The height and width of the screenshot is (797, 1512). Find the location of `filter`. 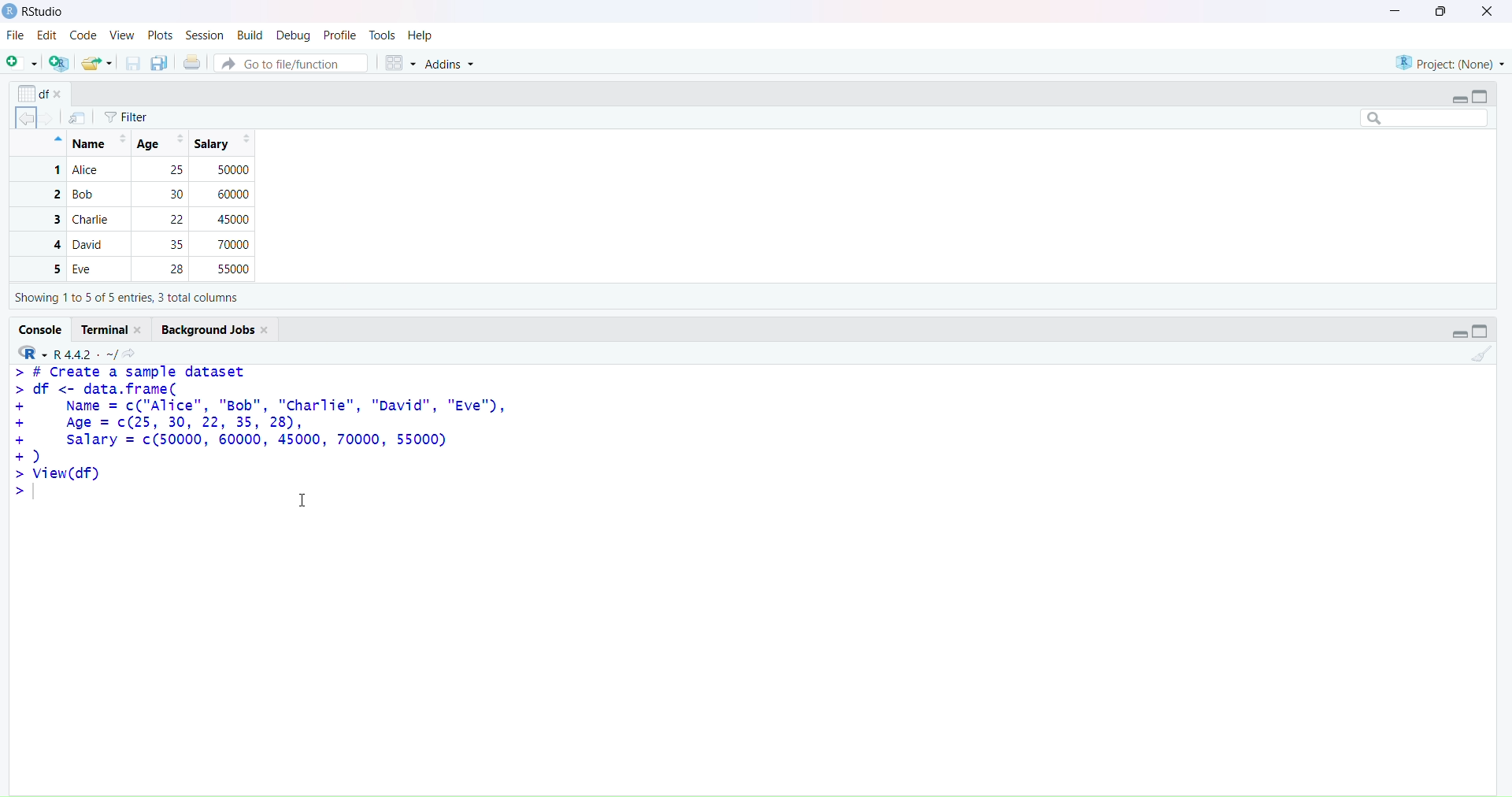

filter is located at coordinates (129, 116).